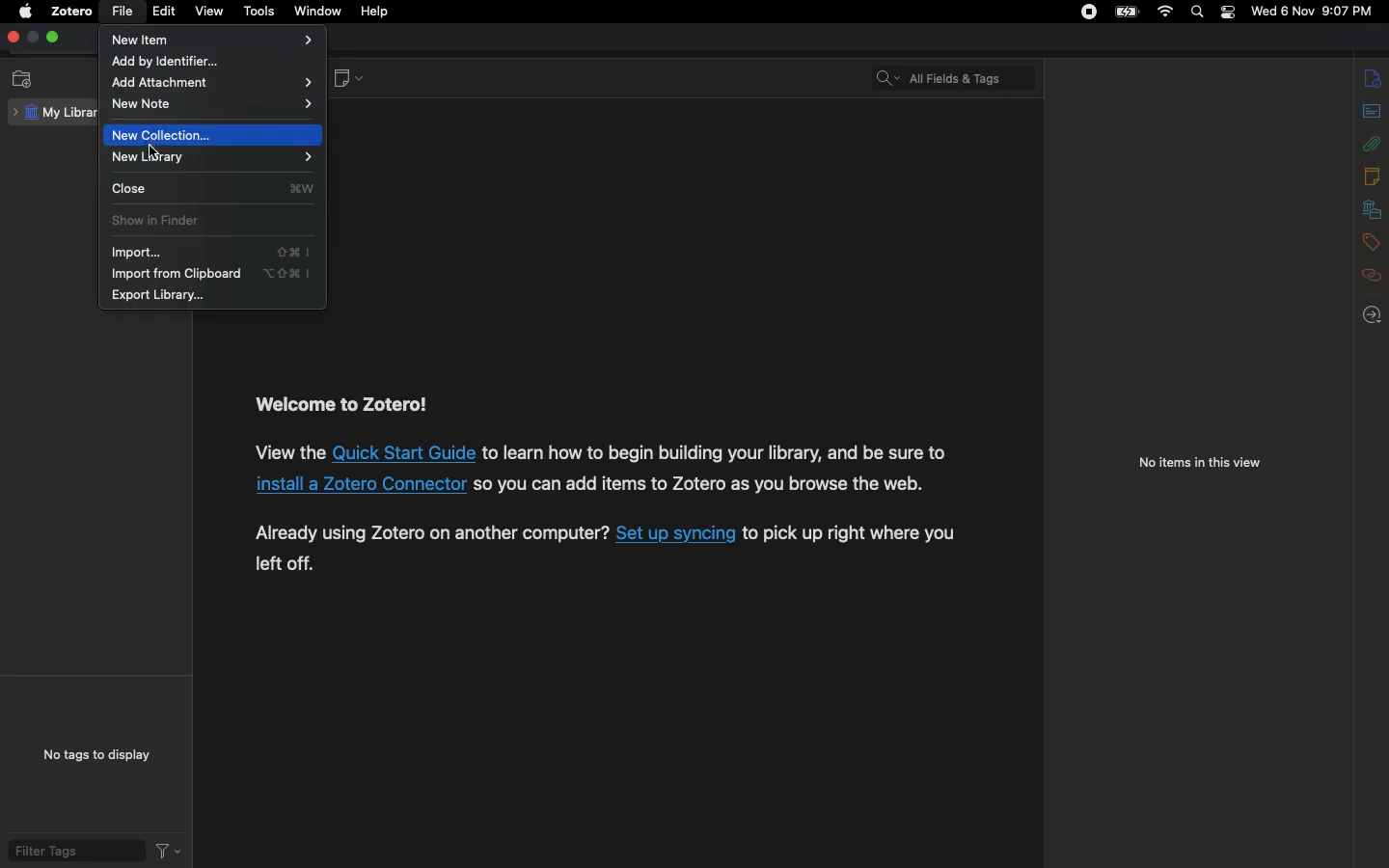 The height and width of the screenshot is (868, 1389). Describe the element at coordinates (214, 39) in the screenshot. I see `New item` at that location.